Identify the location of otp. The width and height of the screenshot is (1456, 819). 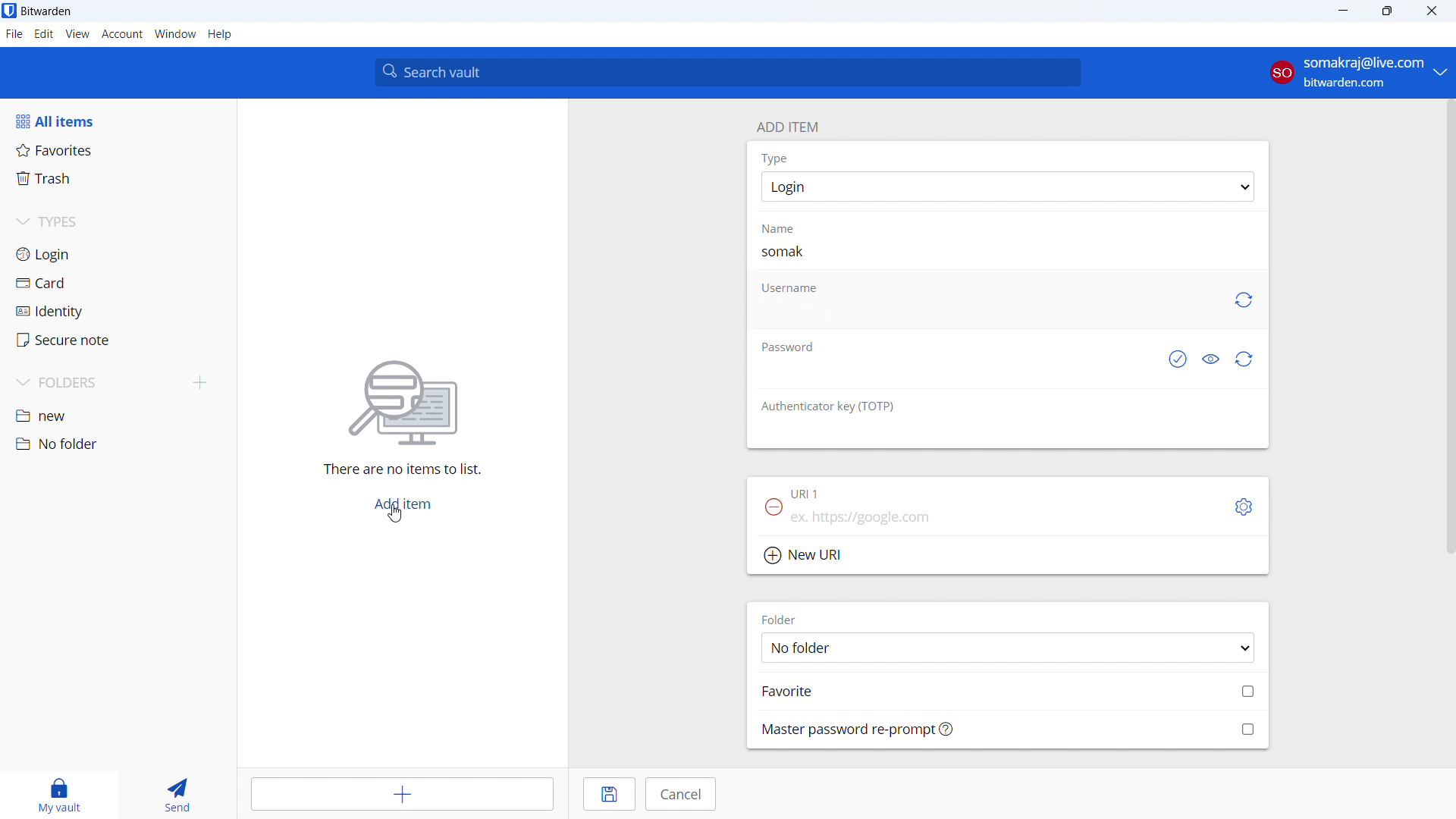
(830, 406).